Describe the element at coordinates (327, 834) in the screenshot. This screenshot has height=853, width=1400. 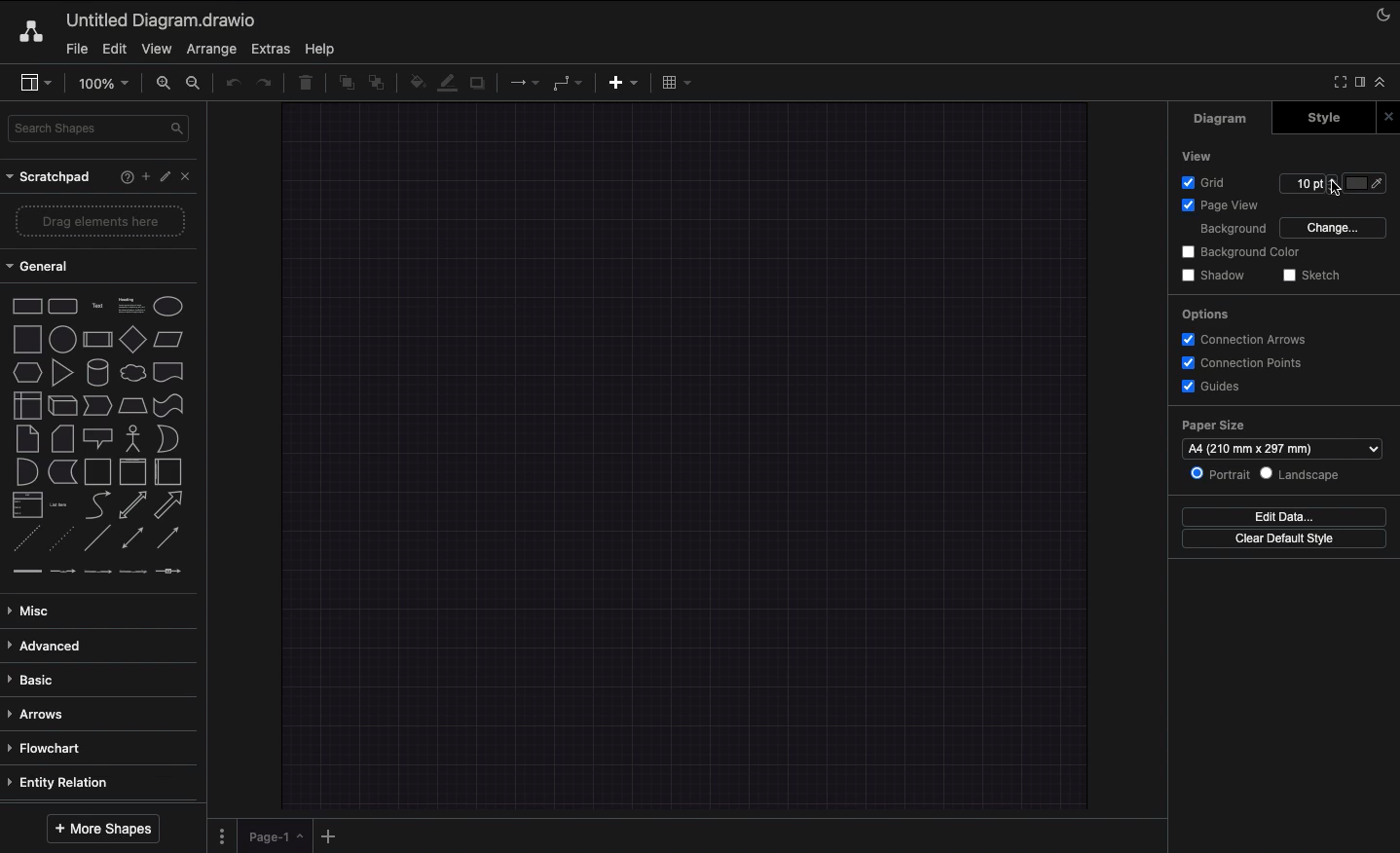
I see `Add new page` at that location.